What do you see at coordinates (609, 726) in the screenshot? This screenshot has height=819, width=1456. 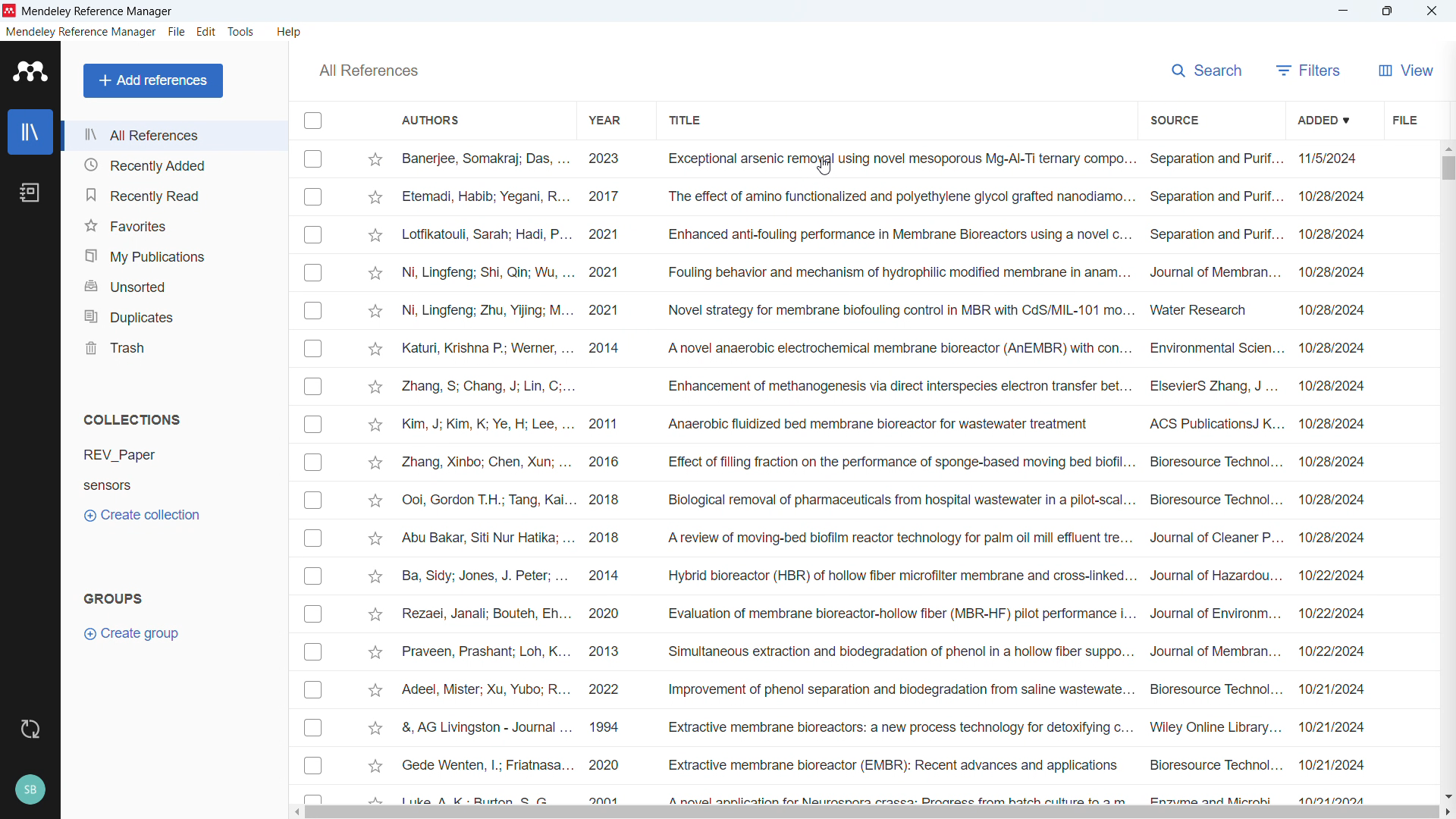 I see `1994` at bounding box center [609, 726].